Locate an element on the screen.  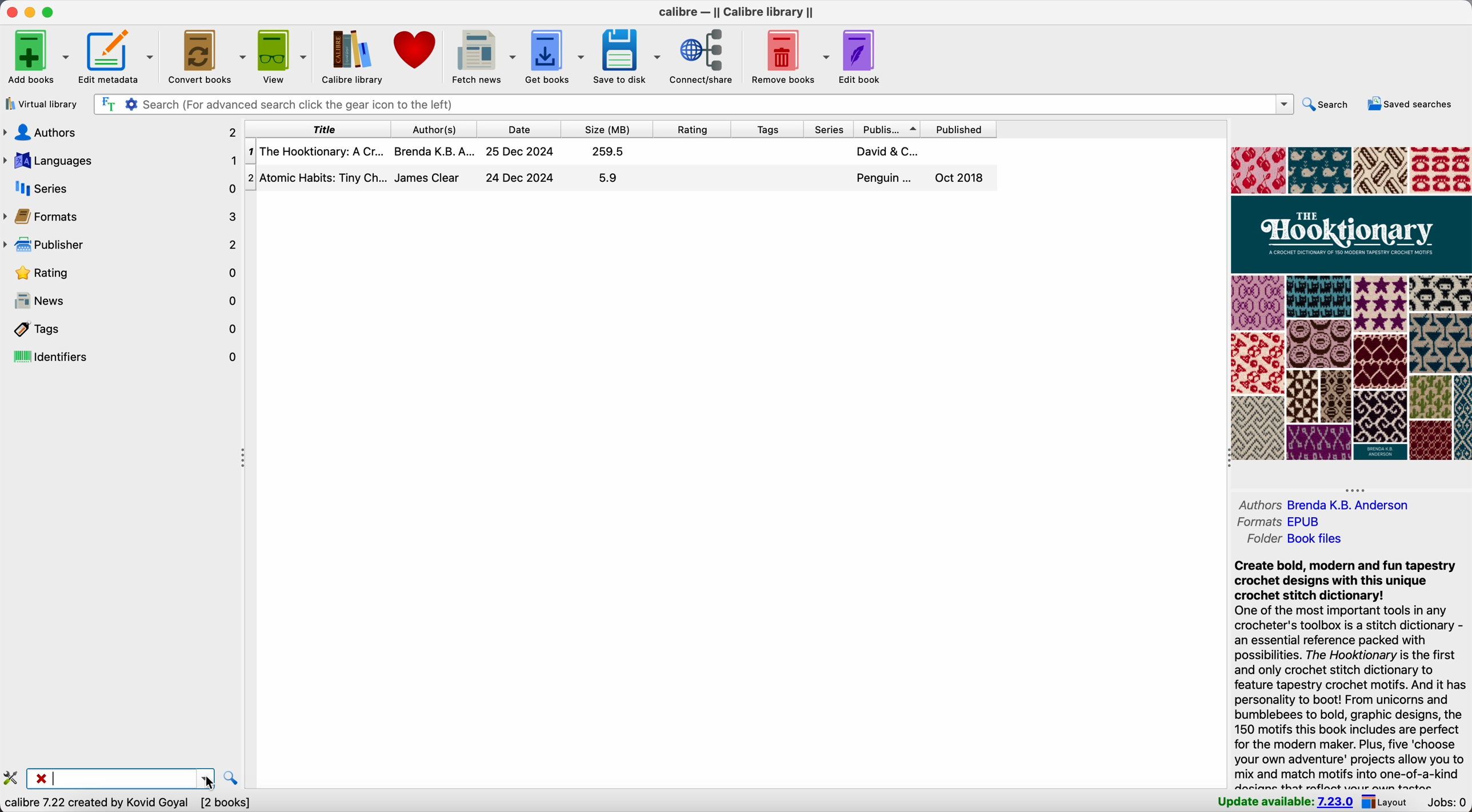
find is located at coordinates (231, 778).